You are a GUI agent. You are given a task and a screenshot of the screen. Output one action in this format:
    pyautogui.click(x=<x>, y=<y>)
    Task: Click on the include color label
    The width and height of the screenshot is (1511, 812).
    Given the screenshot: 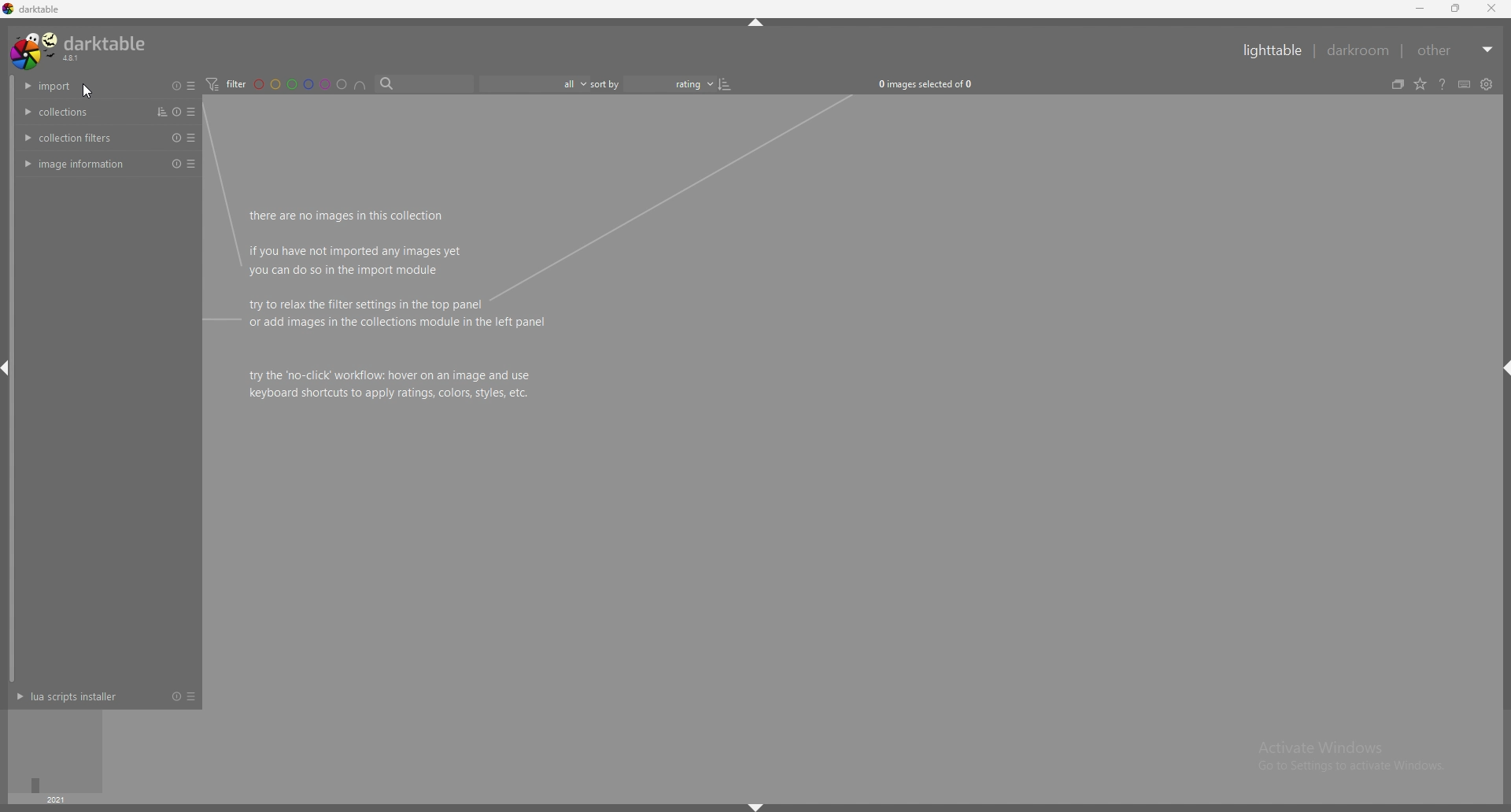 What is the action you would take?
    pyautogui.click(x=360, y=84)
    